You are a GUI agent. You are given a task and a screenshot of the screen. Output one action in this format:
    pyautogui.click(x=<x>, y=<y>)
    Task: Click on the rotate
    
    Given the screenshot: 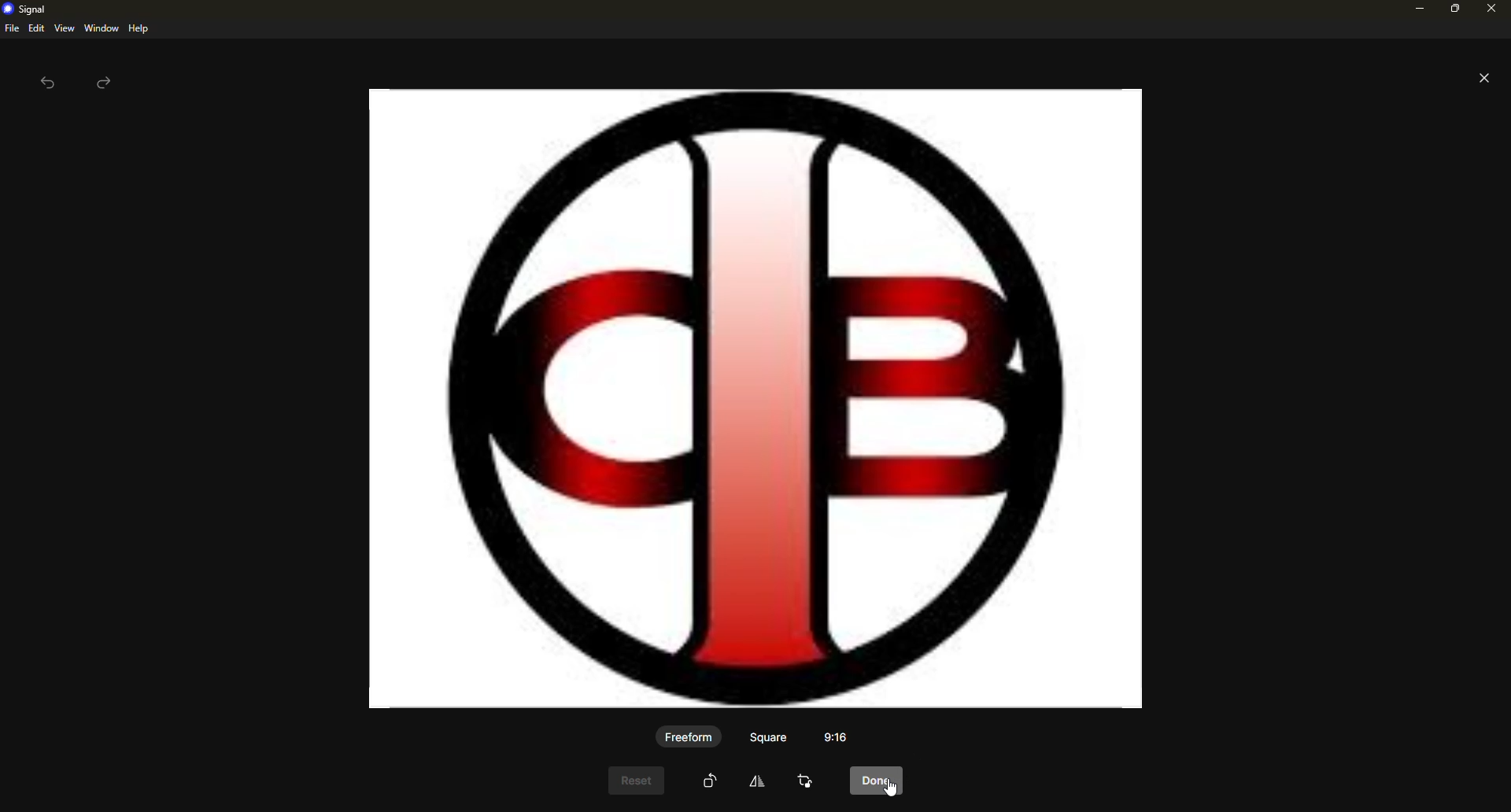 What is the action you would take?
    pyautogui.click(x=709, y=781)
    